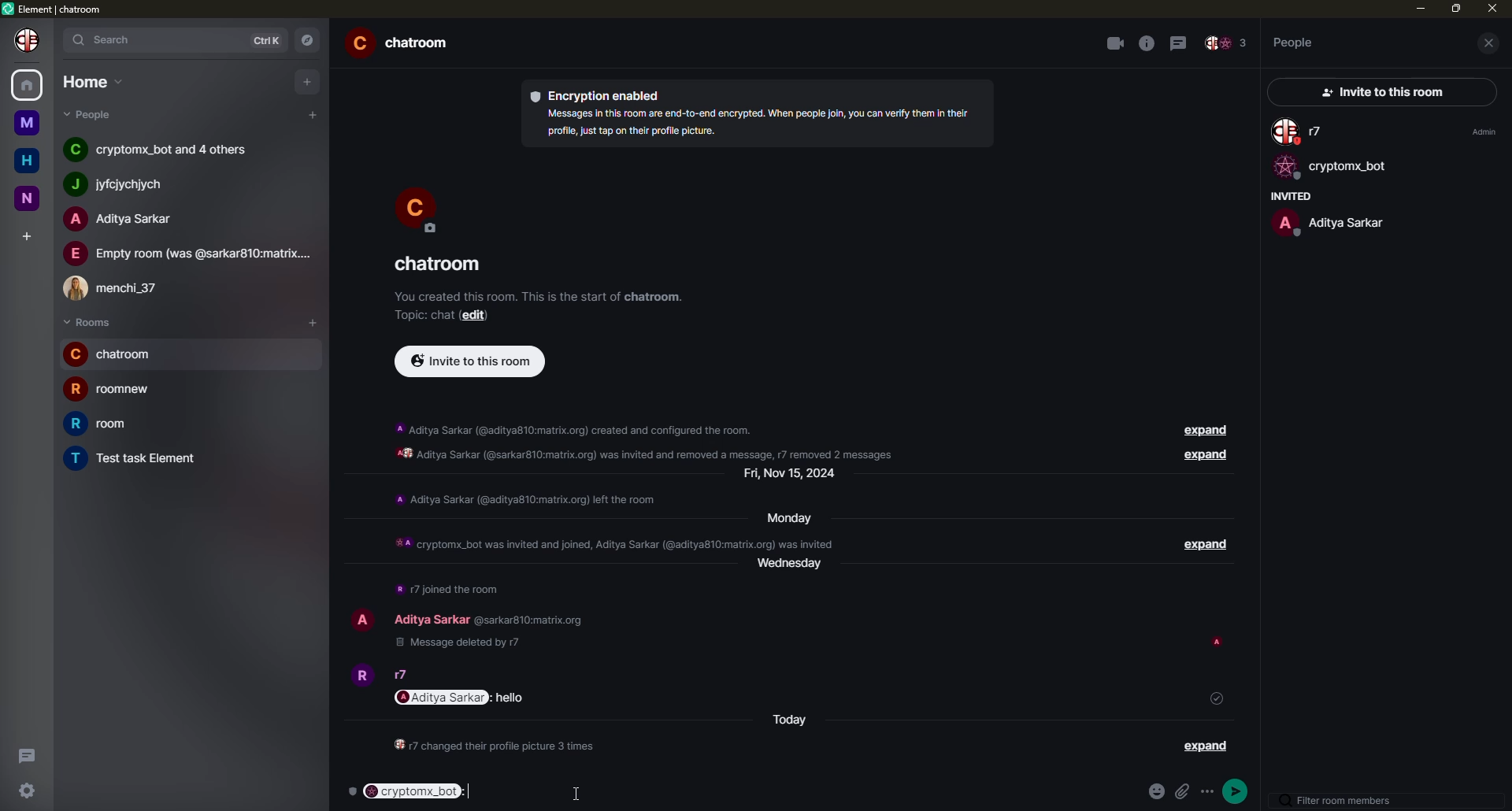  I want to click on mentioned, so click(402, 791).